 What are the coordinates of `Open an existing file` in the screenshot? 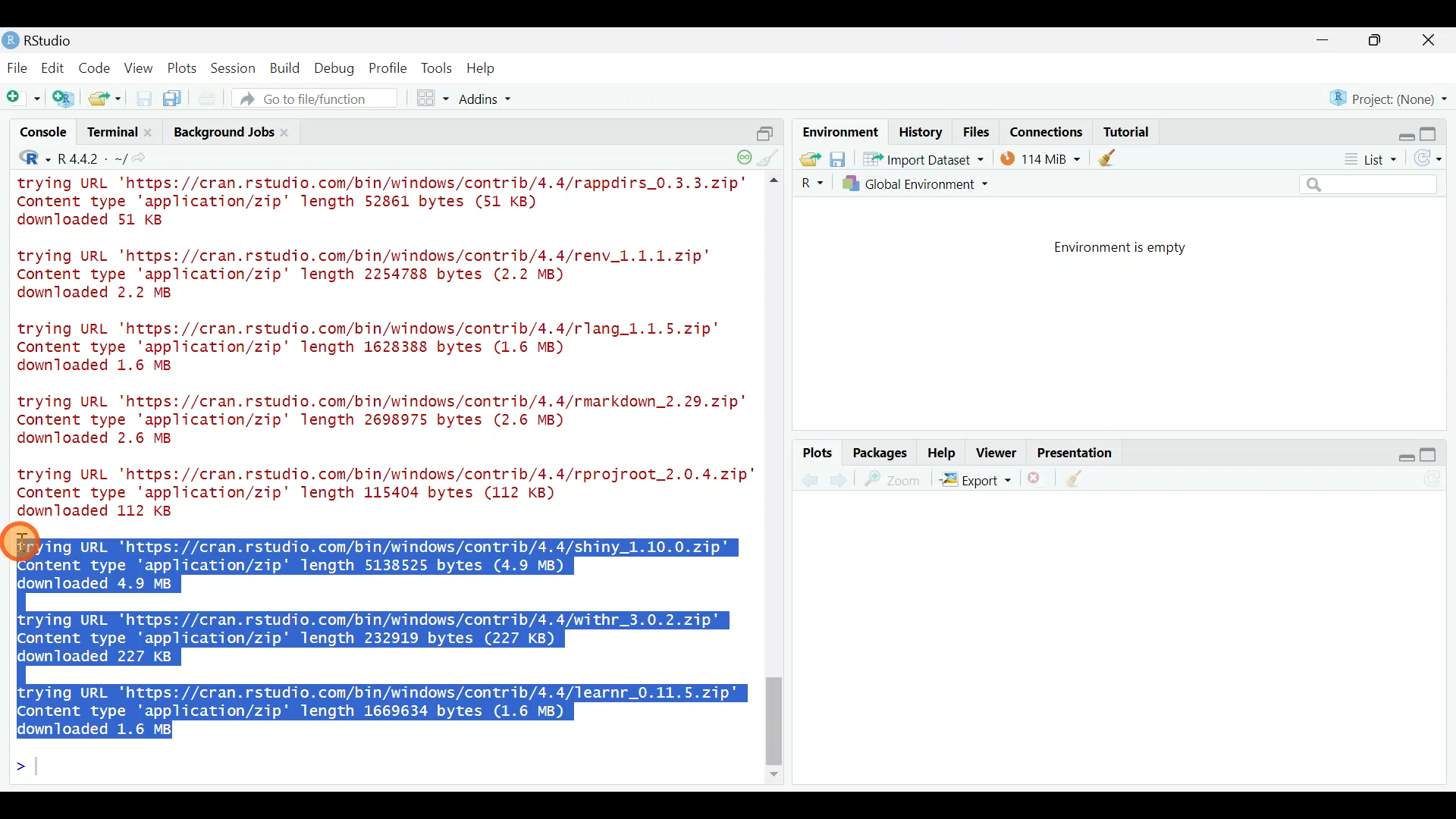 It's located at (106, 100).